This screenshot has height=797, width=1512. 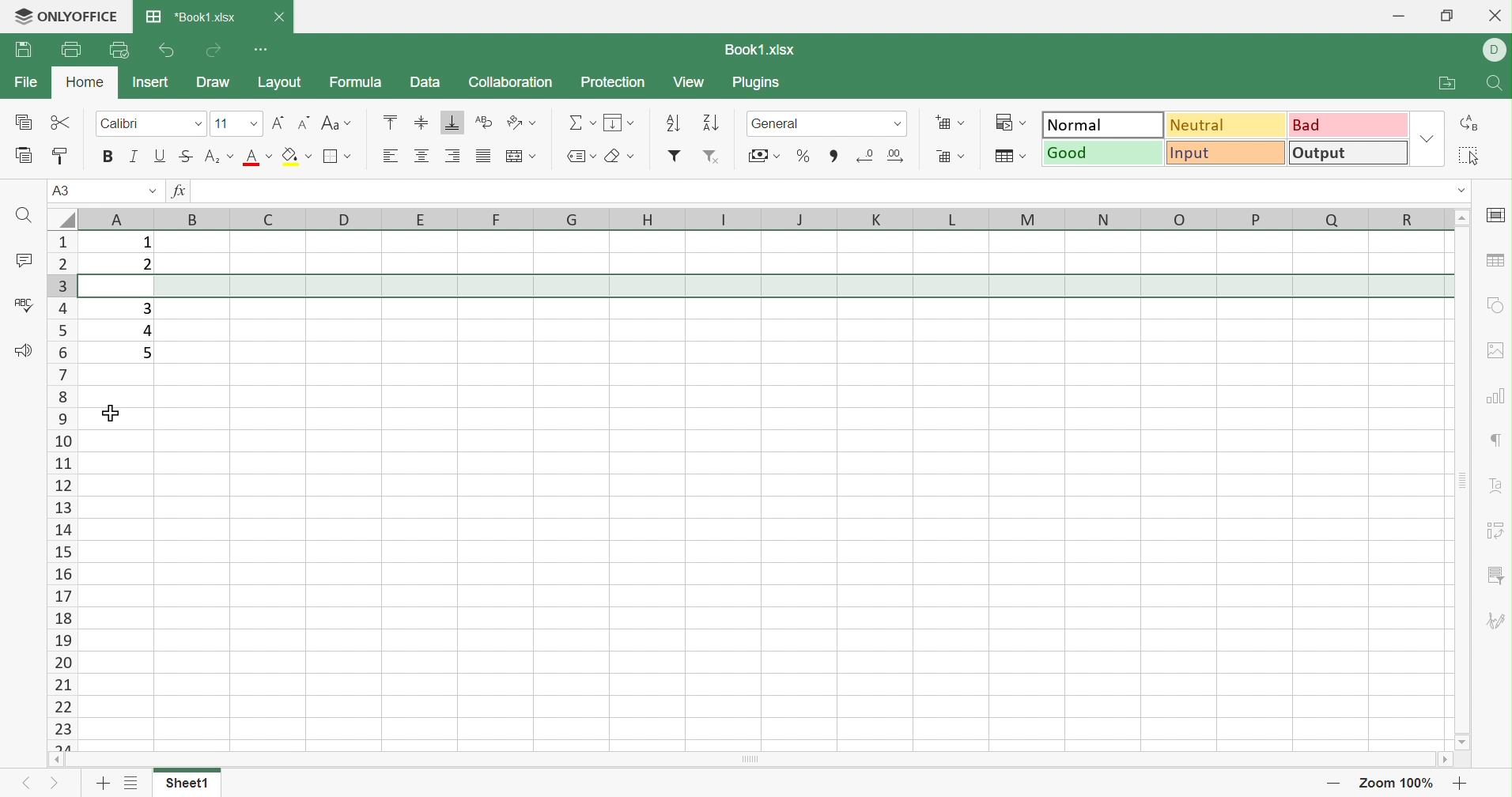 What do you see at coordinates (281, 81) in the screenshot?
I see `Layout` at bounding box center [281, 81].